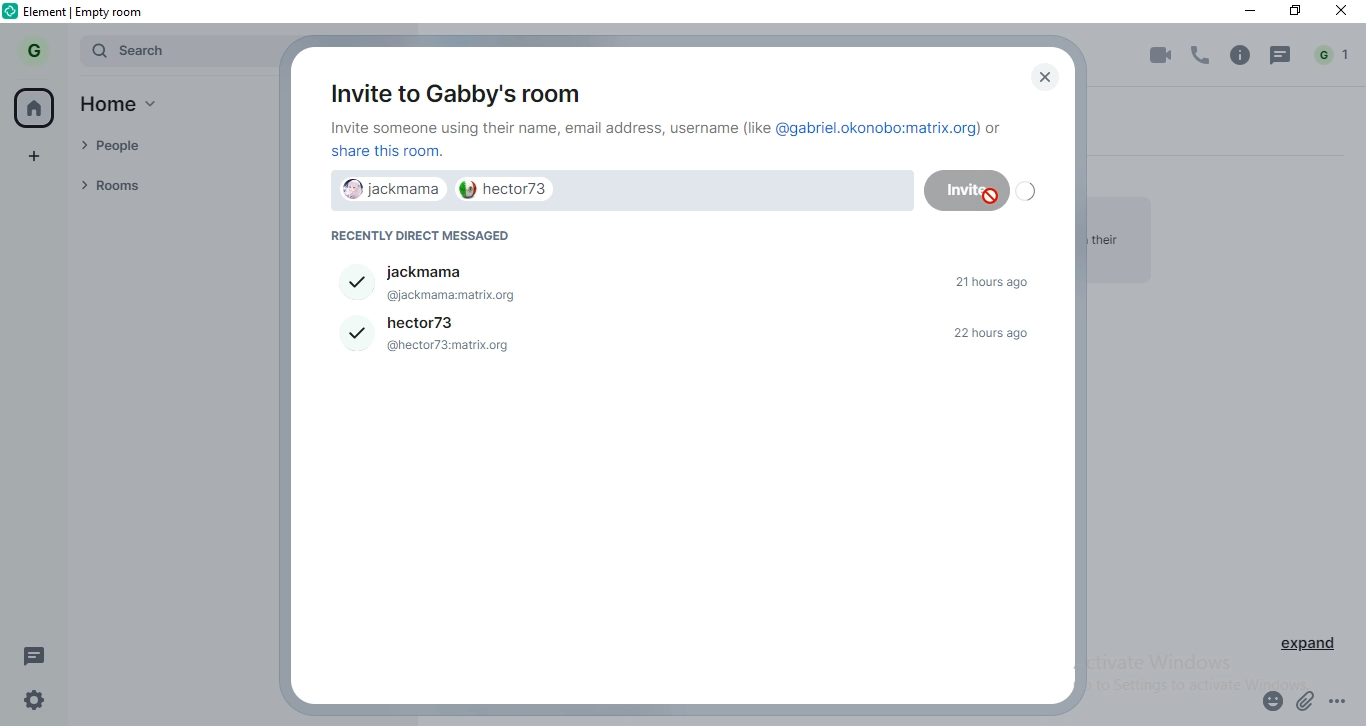 The height and width of the screenshot is (726, 1366). I want to click on rooms, so click(165, 185).